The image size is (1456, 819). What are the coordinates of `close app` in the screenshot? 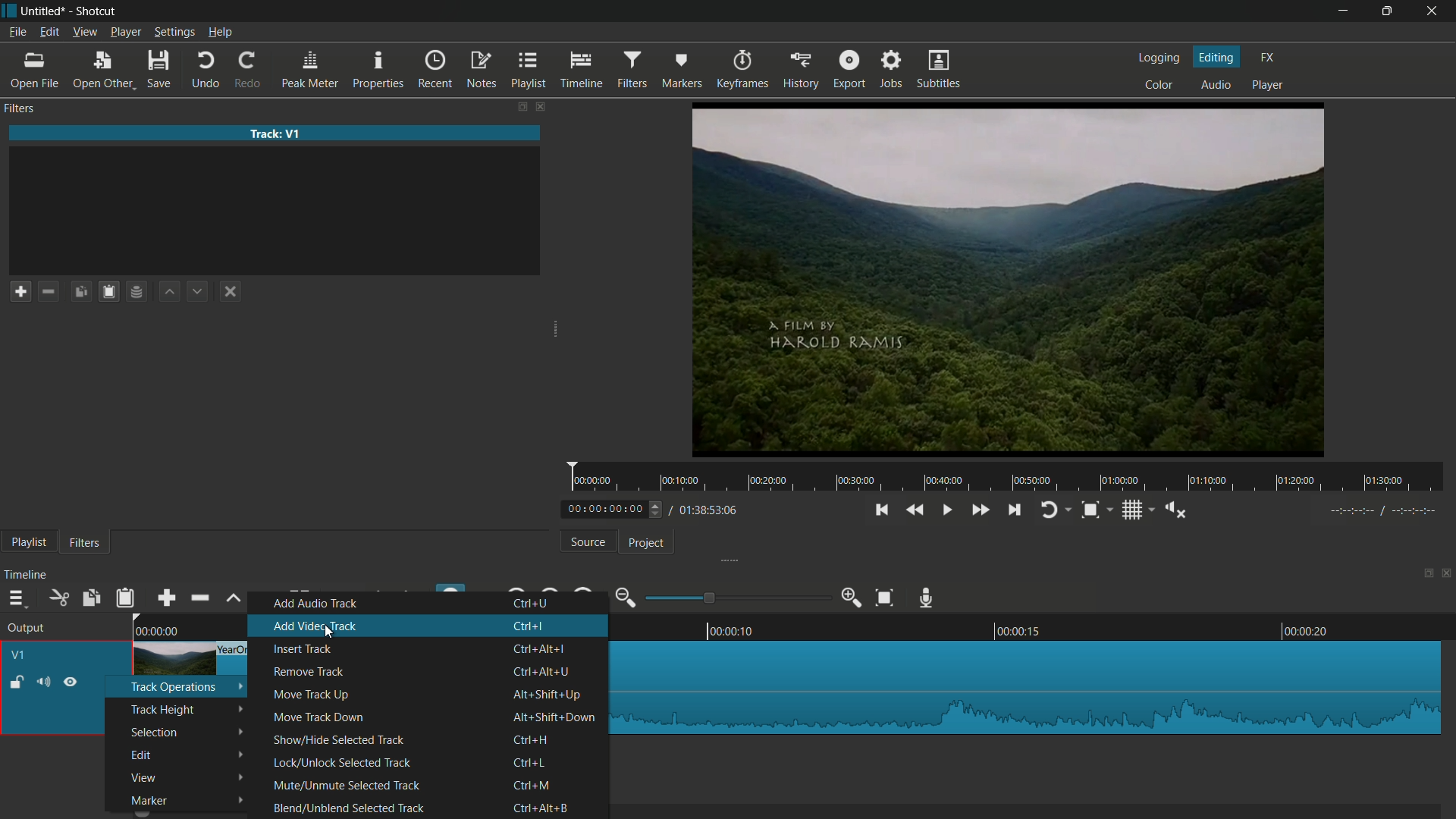 It's located at (1434, 11).